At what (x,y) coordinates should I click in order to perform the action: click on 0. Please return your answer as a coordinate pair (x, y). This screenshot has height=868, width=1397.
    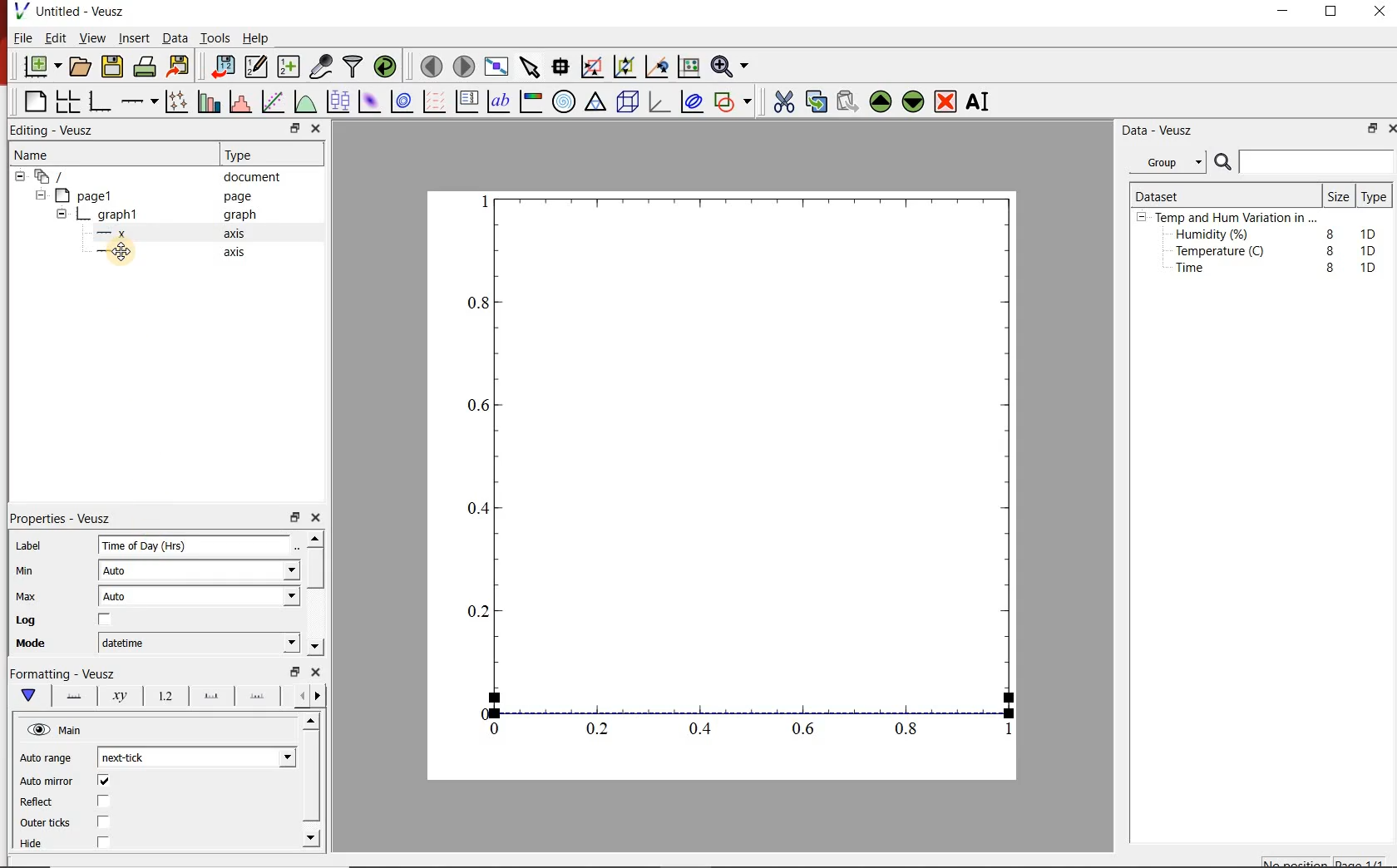
    Looking at the image, I should click on (496, 728).